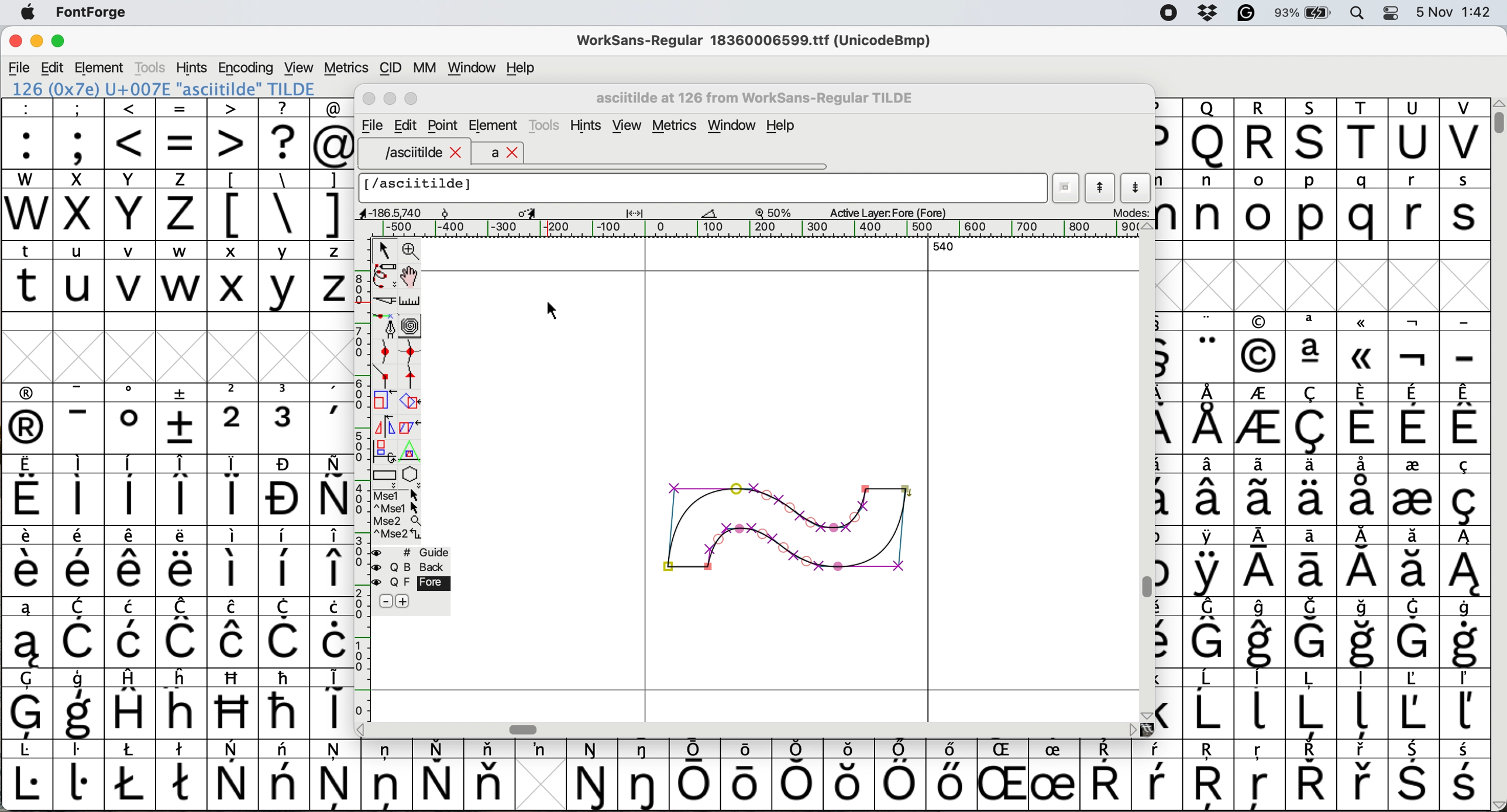  I want to click on symbol, so click(1312, 633).